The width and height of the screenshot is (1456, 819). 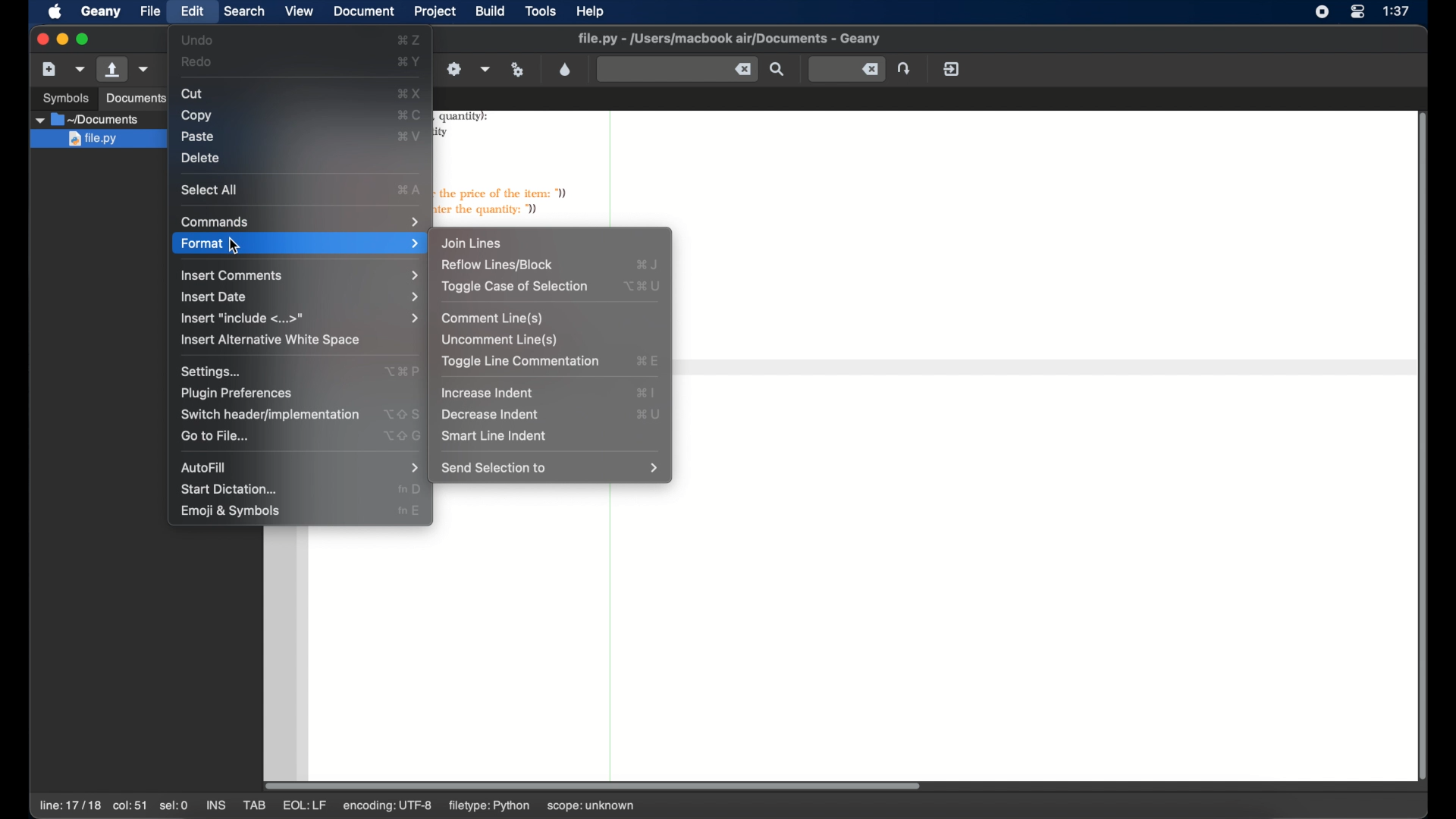 What do you see at coordinates (231, 511) in the screenshot?
I see `emoji and symbols` at bounding box center [231, 511].